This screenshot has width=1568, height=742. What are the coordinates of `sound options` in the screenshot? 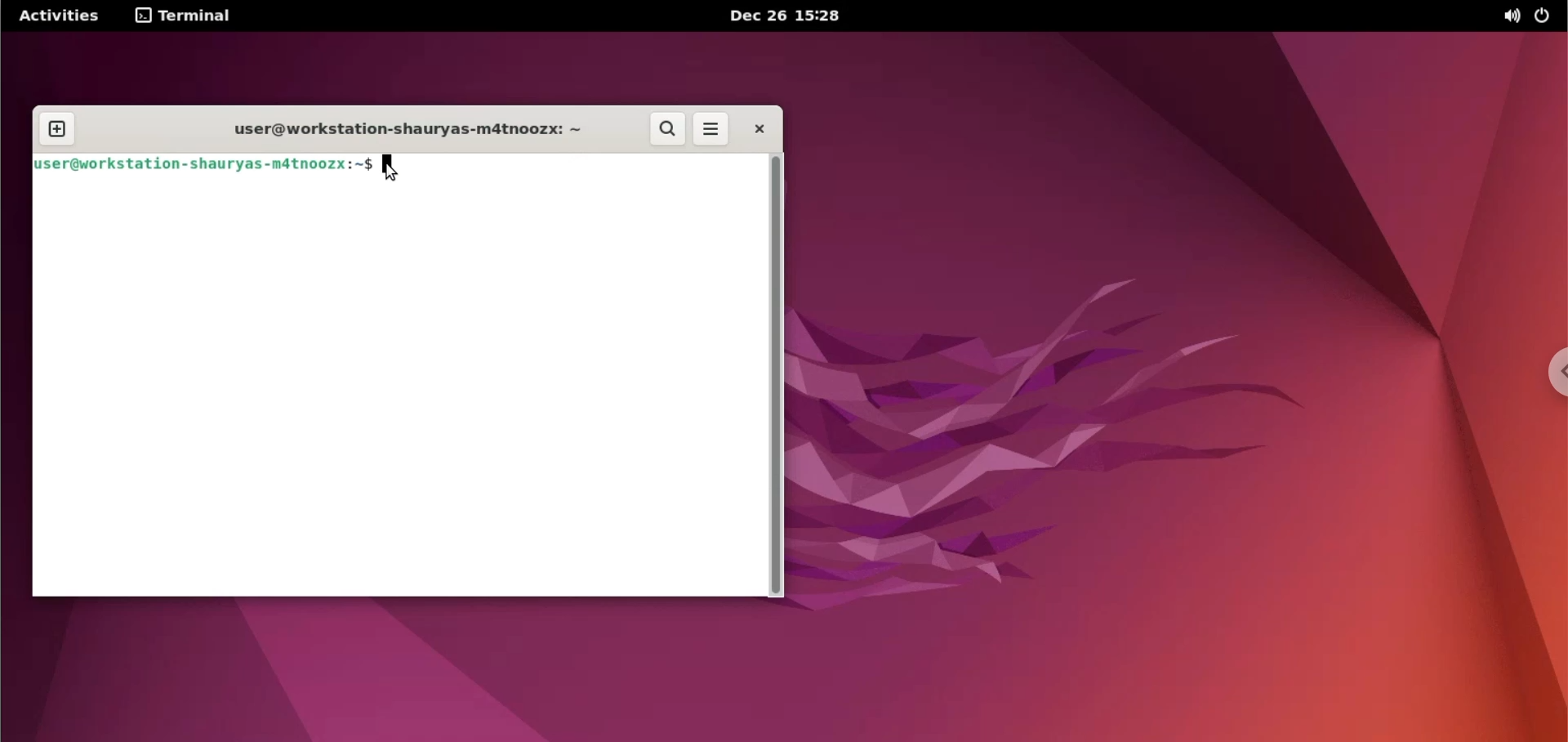 It's located at (1507, 16).